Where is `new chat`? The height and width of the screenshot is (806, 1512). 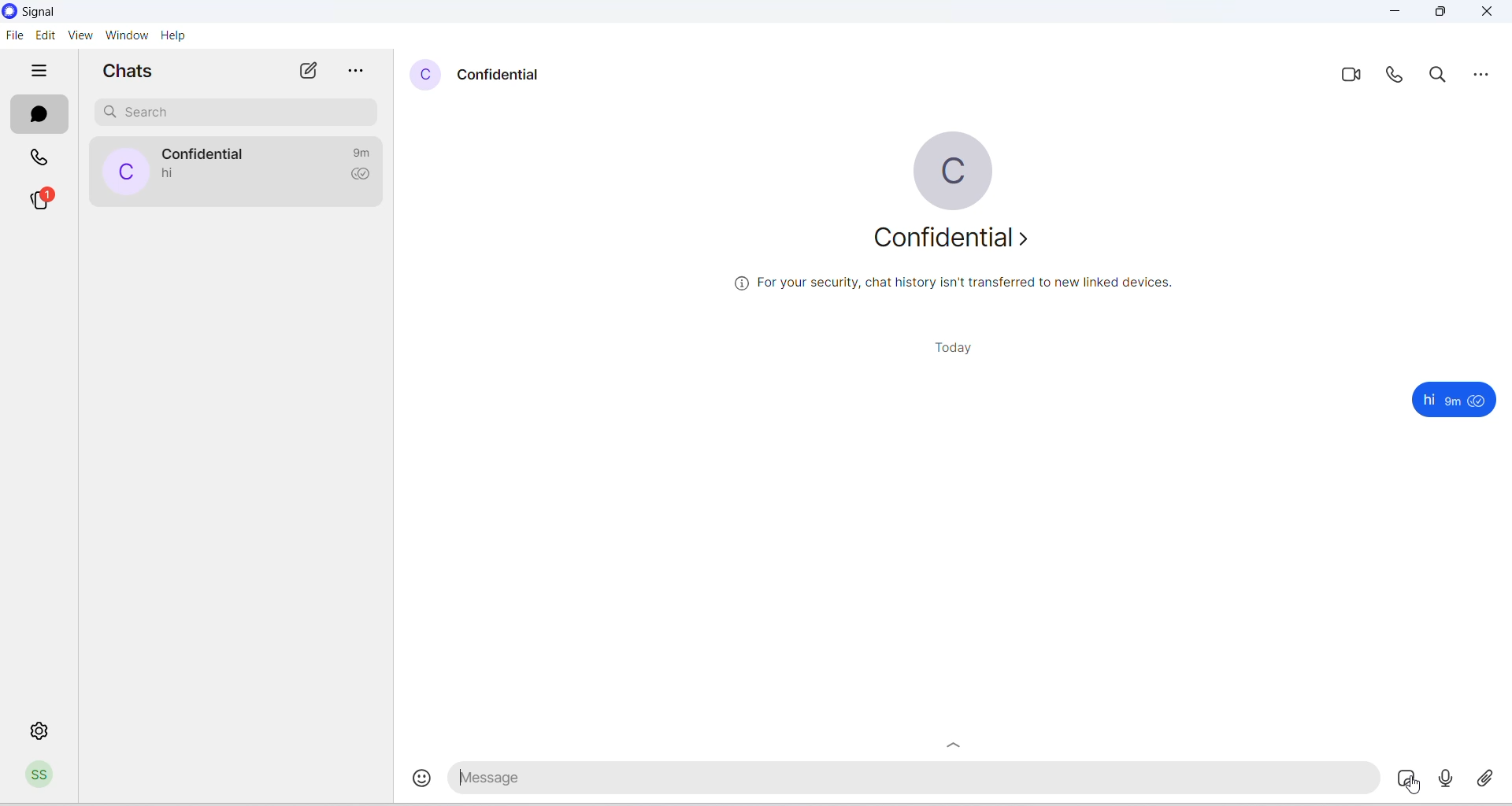 new chat is located at coordinates (309, 72).